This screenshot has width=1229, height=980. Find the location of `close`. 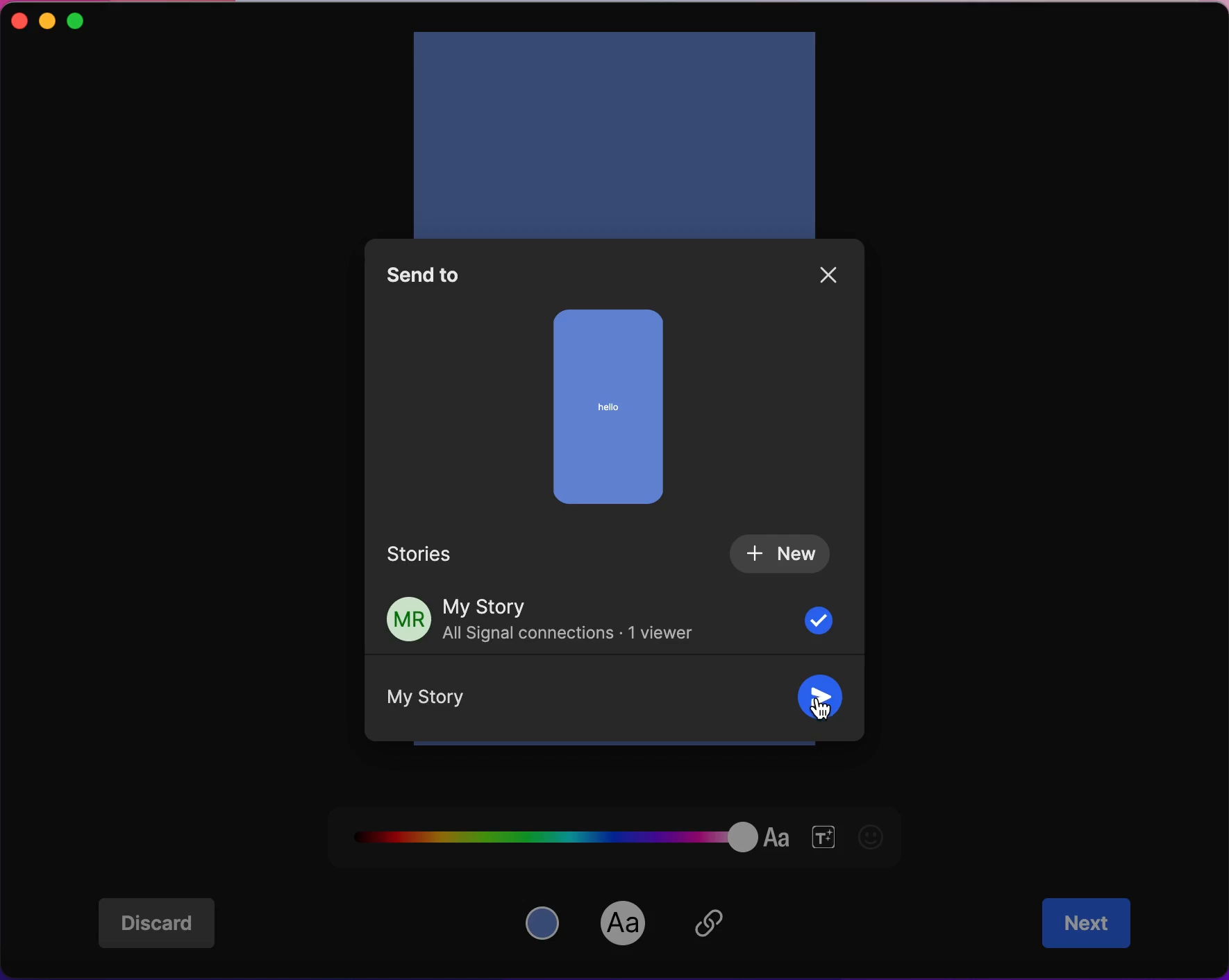

close is located at coordinates (830, 274).